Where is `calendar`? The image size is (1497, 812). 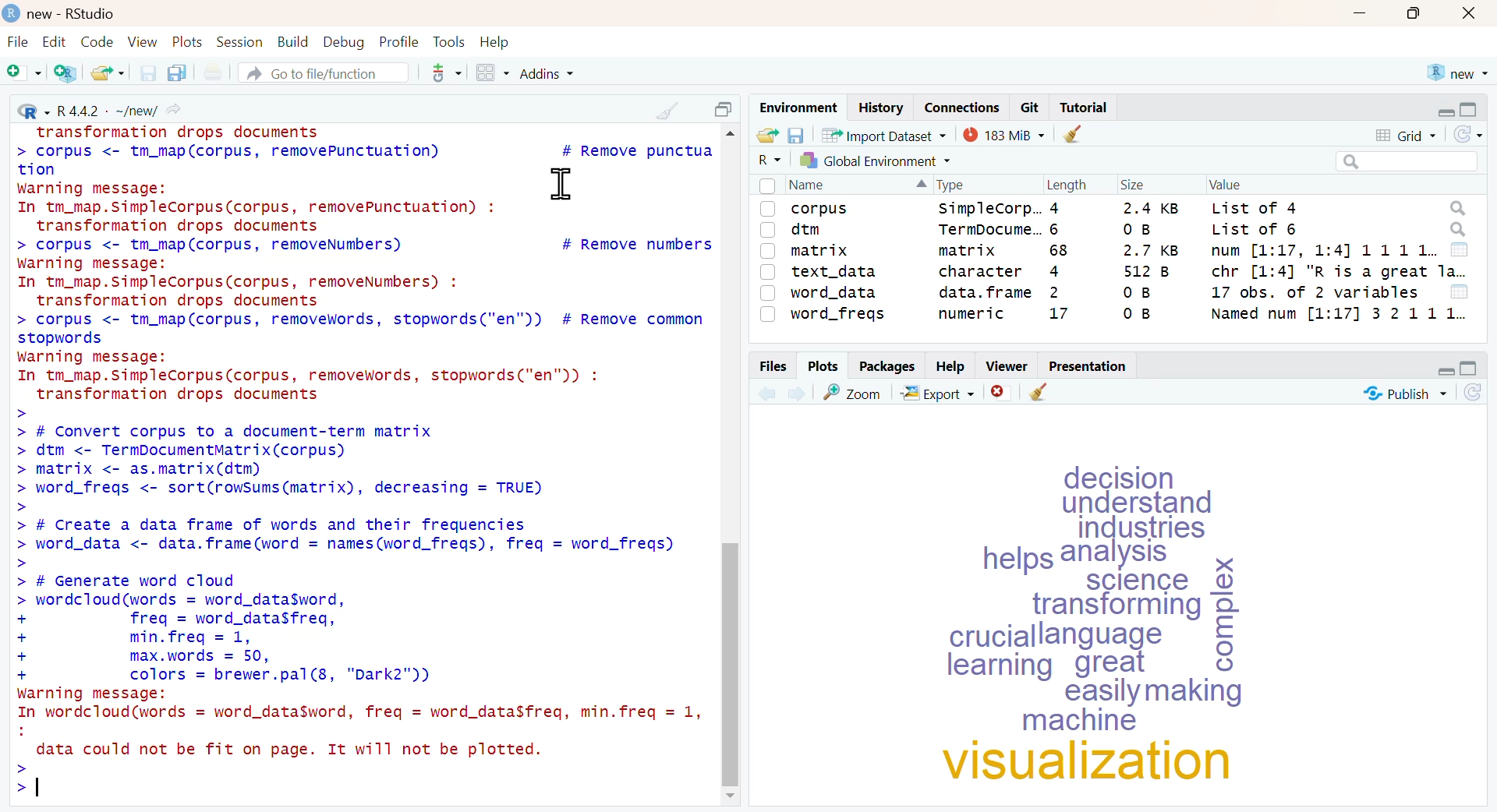 calendar is located at coordinates (1459, 291).